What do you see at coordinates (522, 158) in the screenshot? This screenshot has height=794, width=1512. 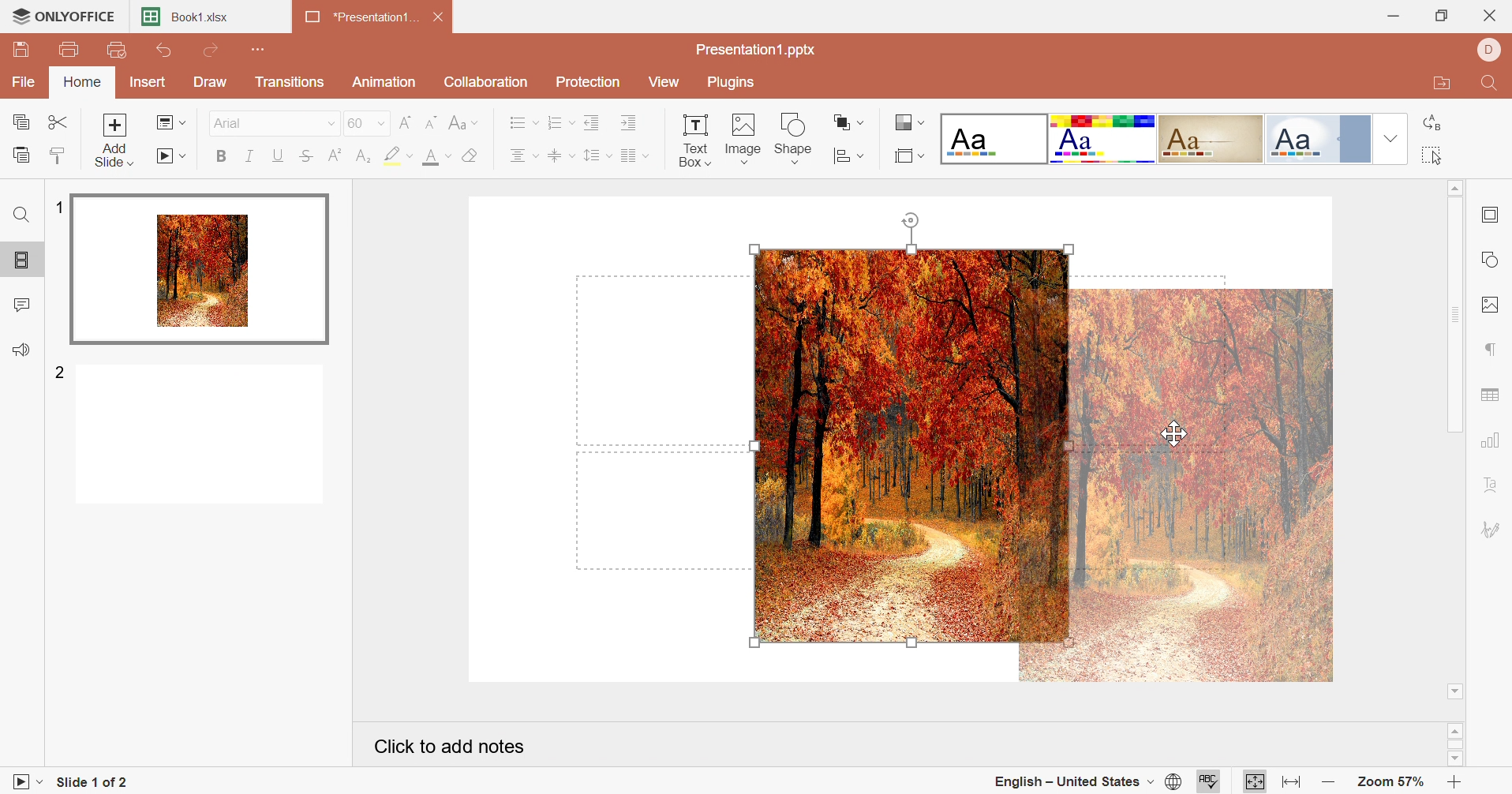 I see `Horizontal align` at bounding box center [522, 158].